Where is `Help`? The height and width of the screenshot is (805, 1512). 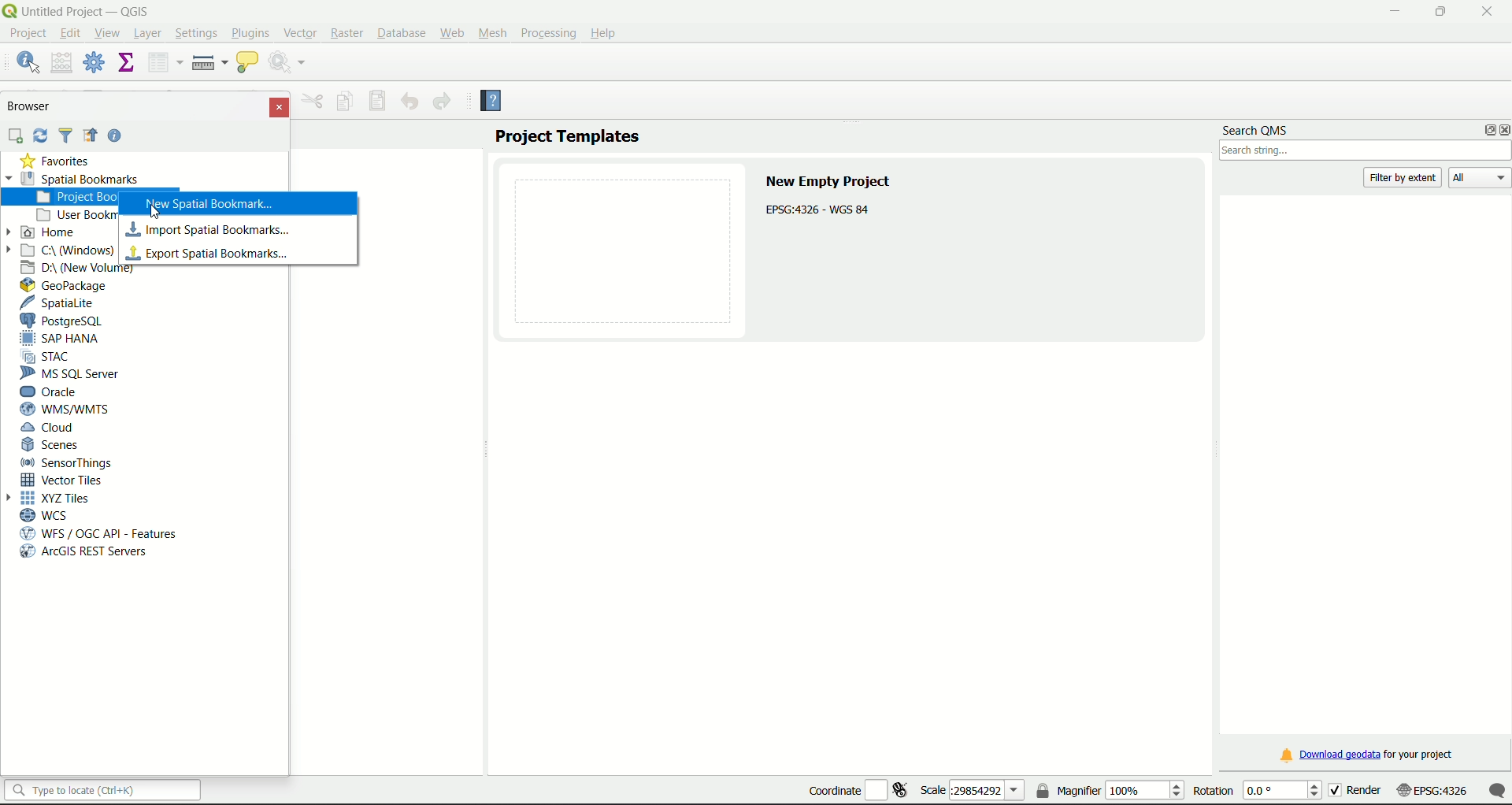 Help is located at coordinates (498, 103).